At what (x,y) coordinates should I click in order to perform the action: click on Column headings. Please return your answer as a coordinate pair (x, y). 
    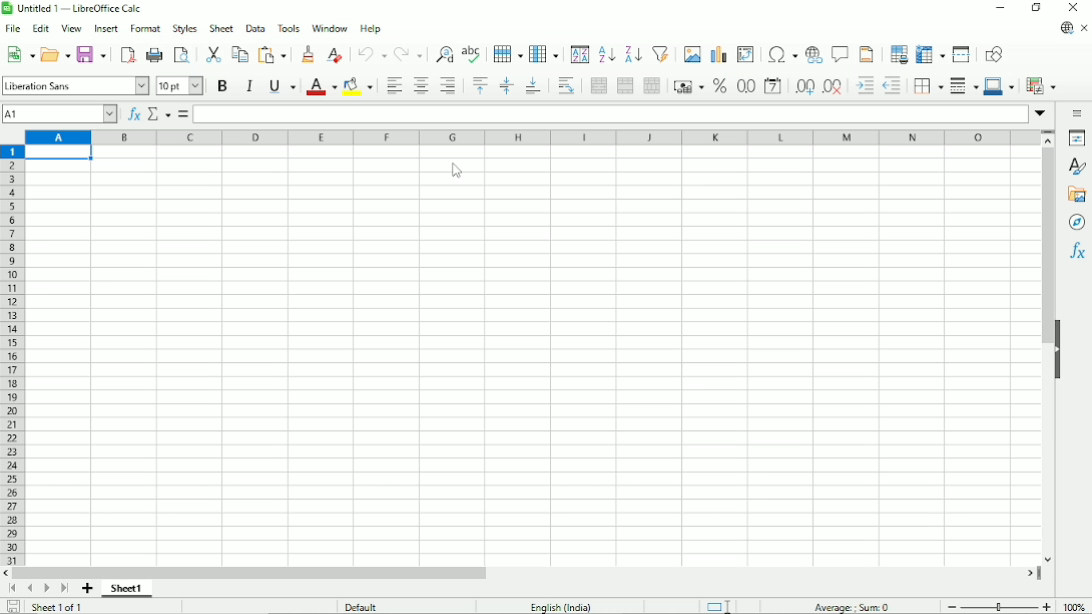
    Looking at the image, I should click on (532, 137).